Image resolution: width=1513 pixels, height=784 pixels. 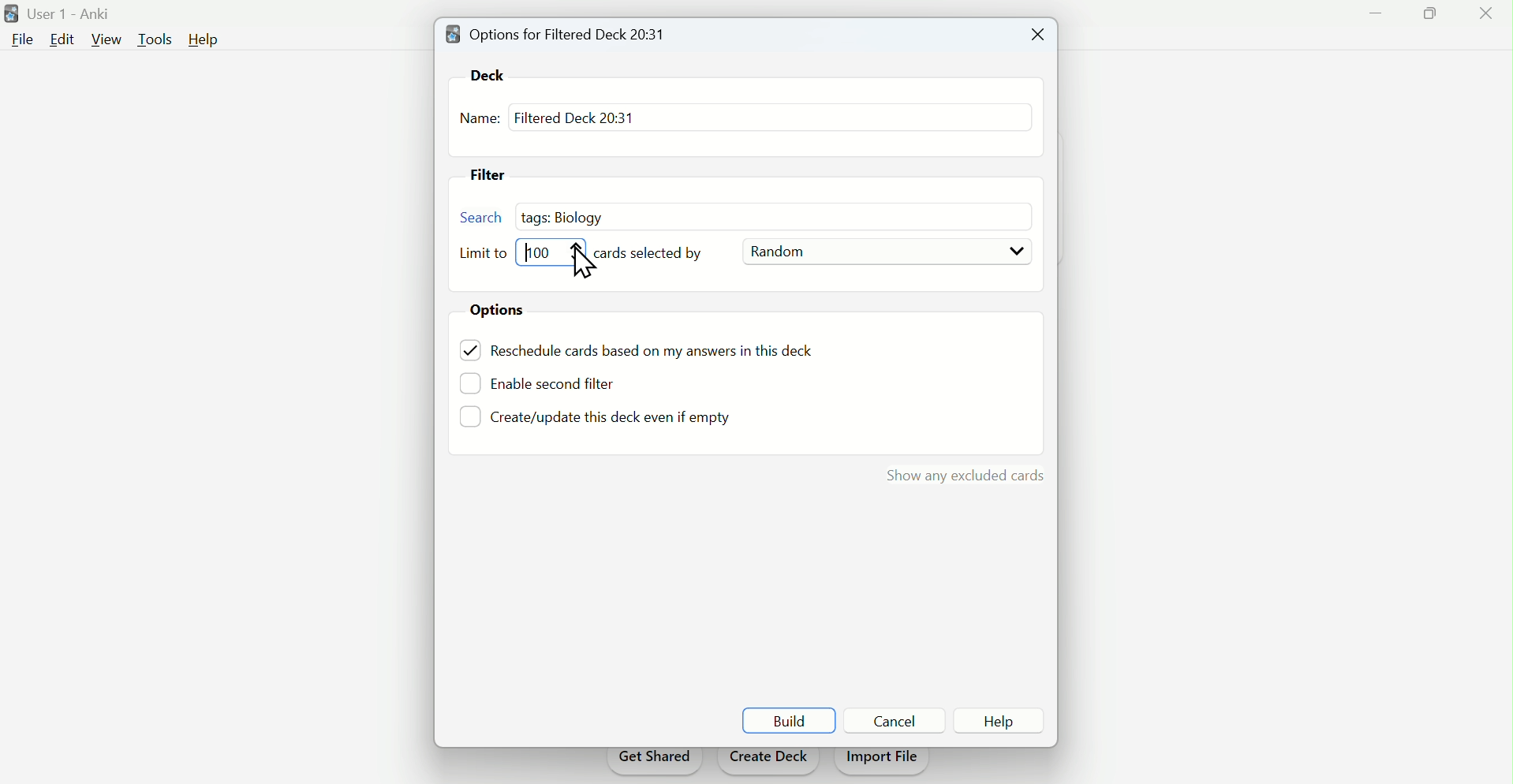 I want to click on  build Build, so click(x=789, y=721).